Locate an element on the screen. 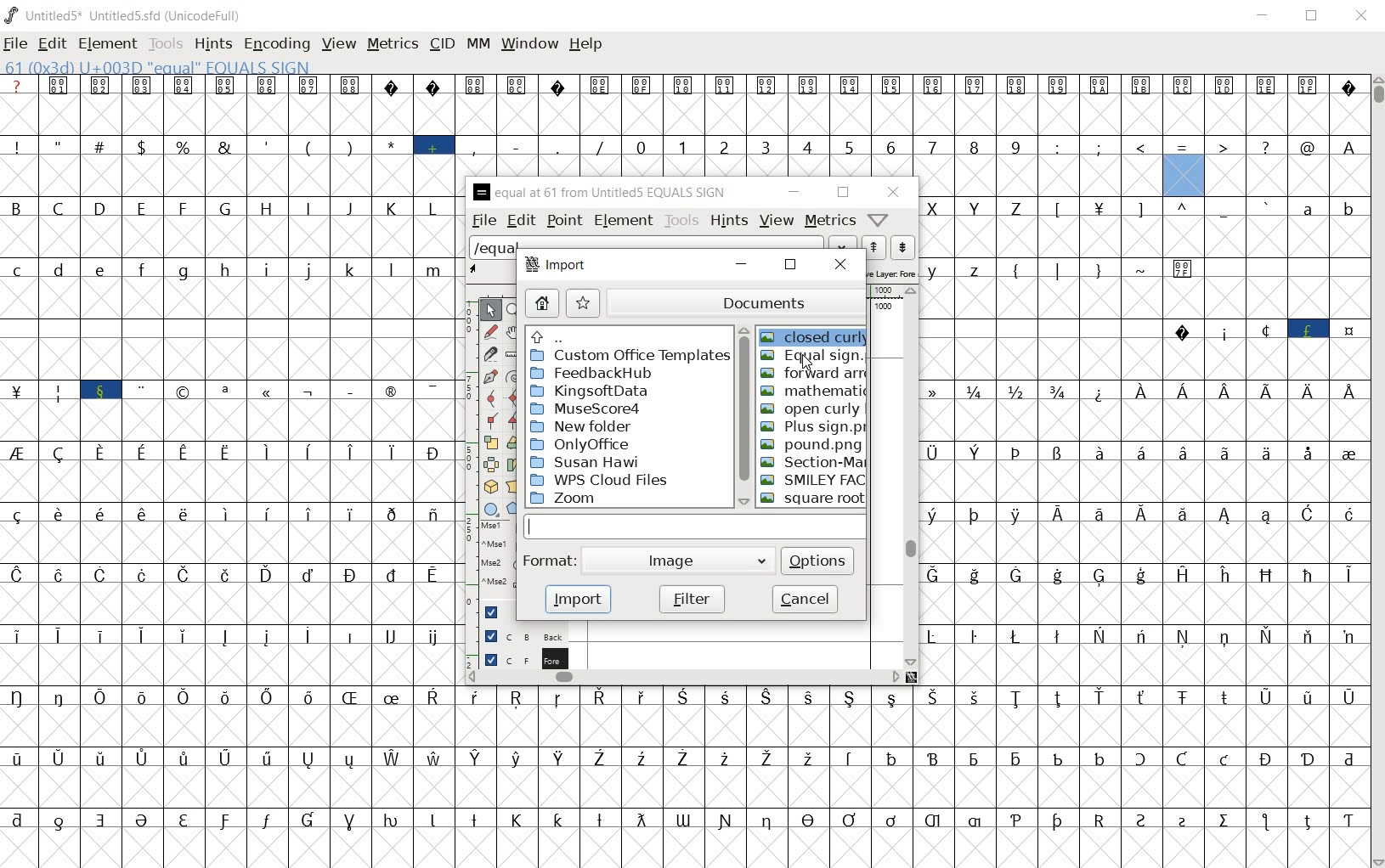  Help/Window is located at coordinates (879, 219).